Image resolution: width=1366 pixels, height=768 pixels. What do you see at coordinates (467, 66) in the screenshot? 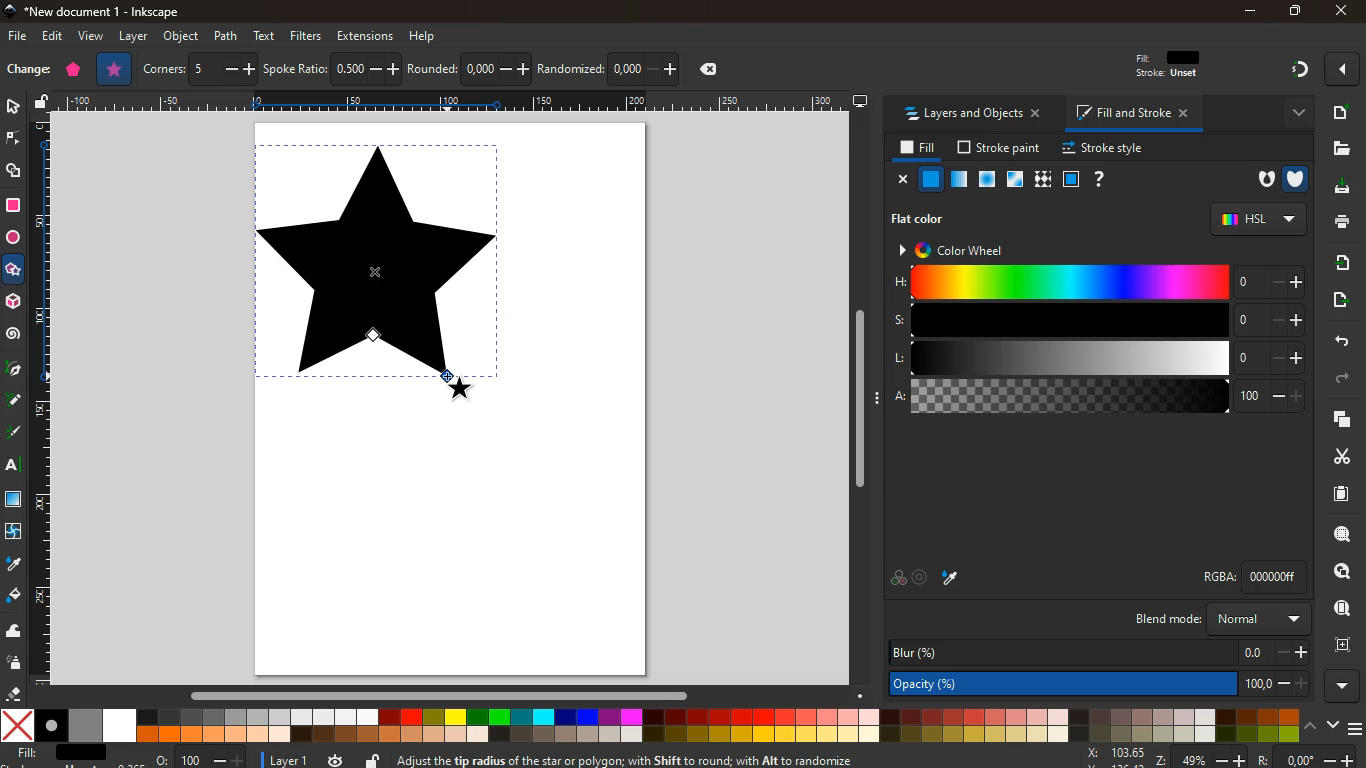
I see `rounded` at bounding box center [467, 66].